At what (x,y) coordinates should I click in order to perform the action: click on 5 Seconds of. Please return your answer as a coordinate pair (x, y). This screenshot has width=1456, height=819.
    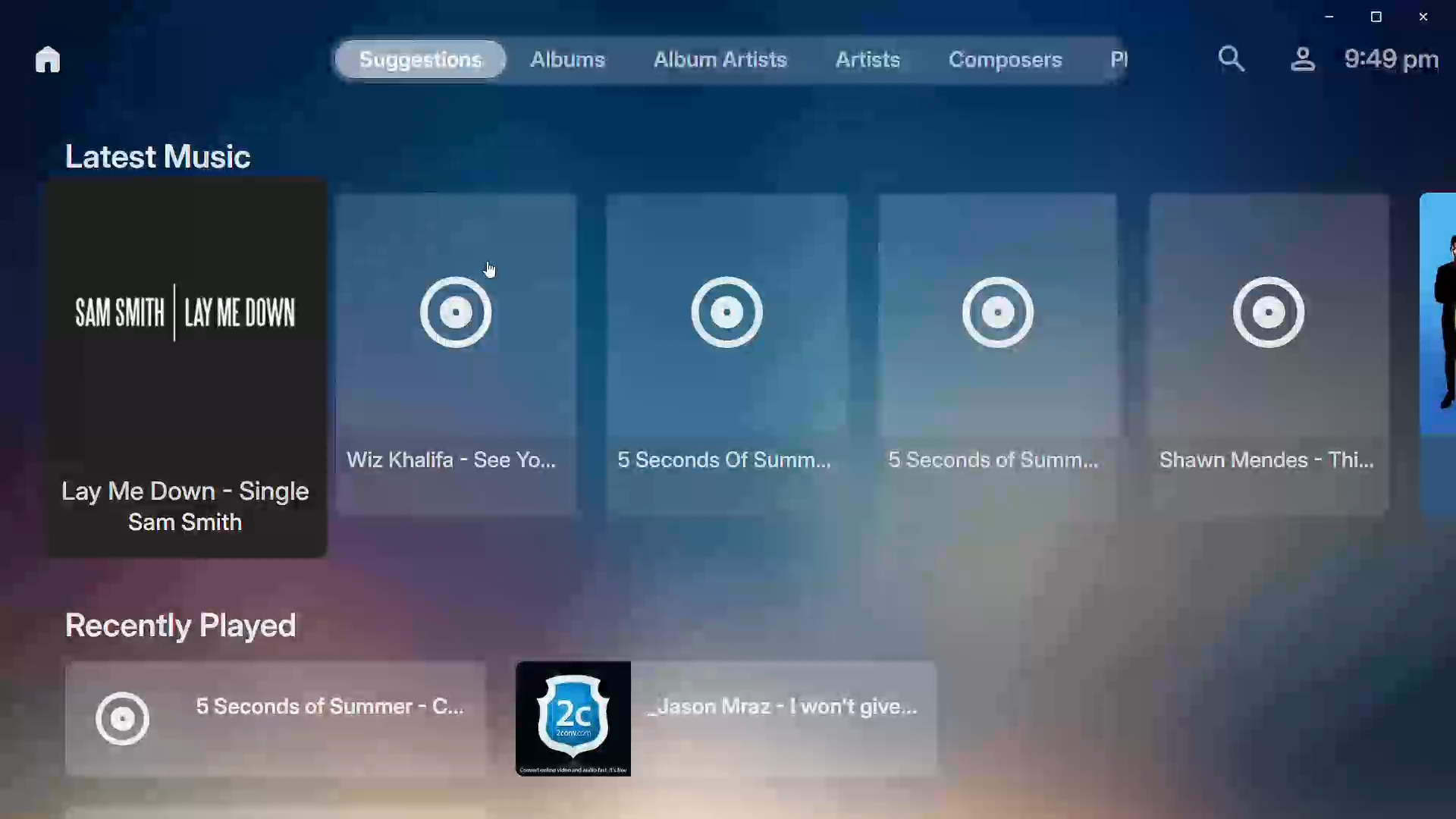
    Looking at the image, I should click on (989, 350).